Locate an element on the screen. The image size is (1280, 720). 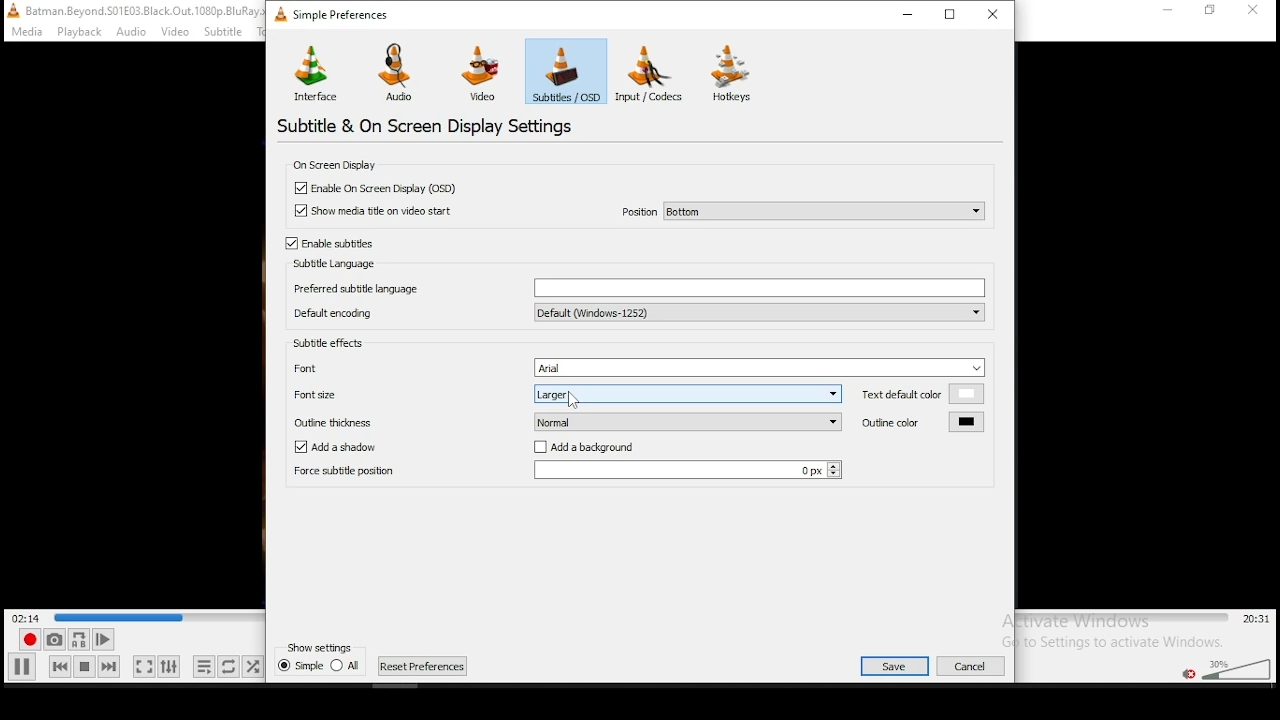
mute/unmute is located at coordinates (1187, 673).